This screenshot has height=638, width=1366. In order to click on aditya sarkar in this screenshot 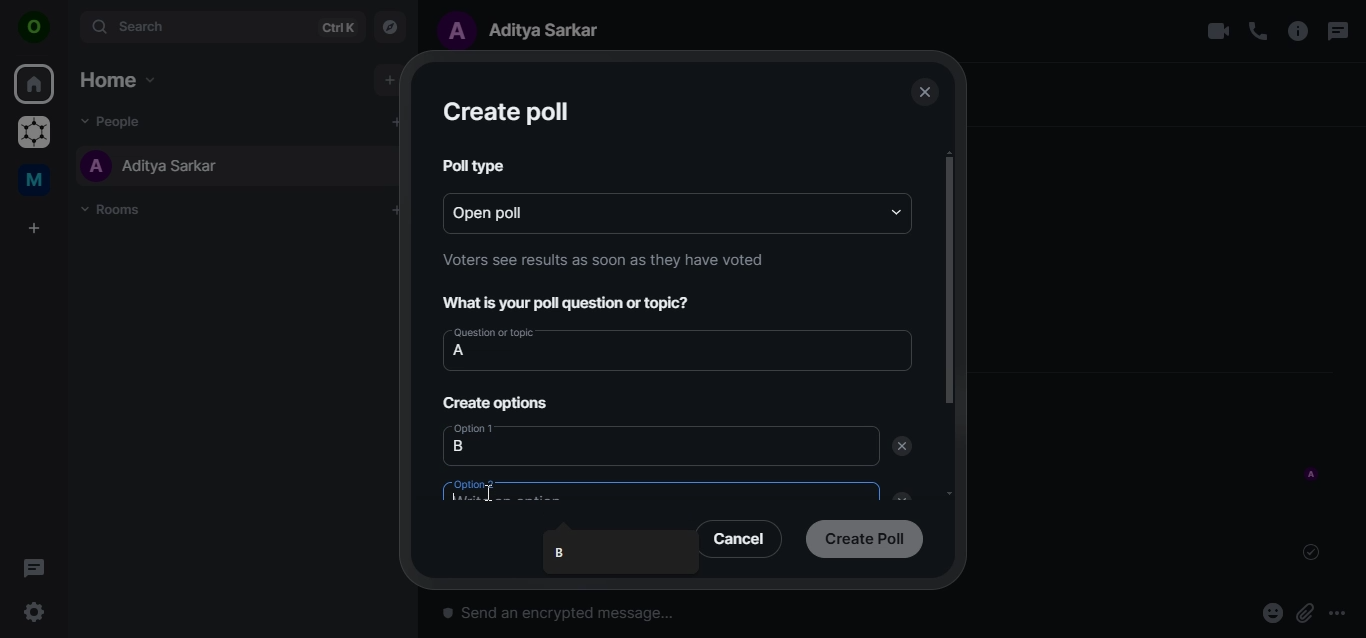, I will do `click(528, 29)`.